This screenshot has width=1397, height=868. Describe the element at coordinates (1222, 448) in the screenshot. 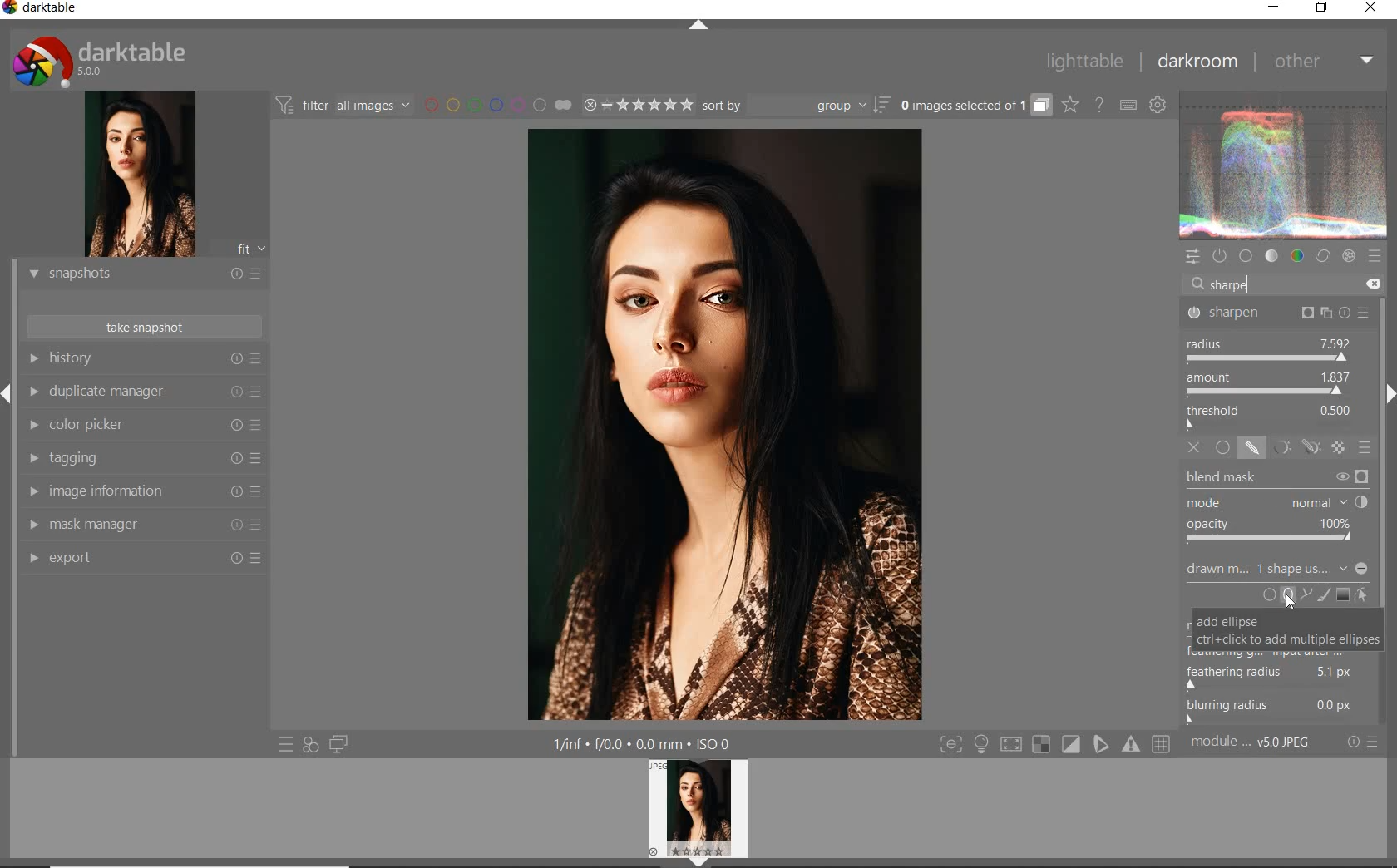

I see `UNIFORMLY` at that location.